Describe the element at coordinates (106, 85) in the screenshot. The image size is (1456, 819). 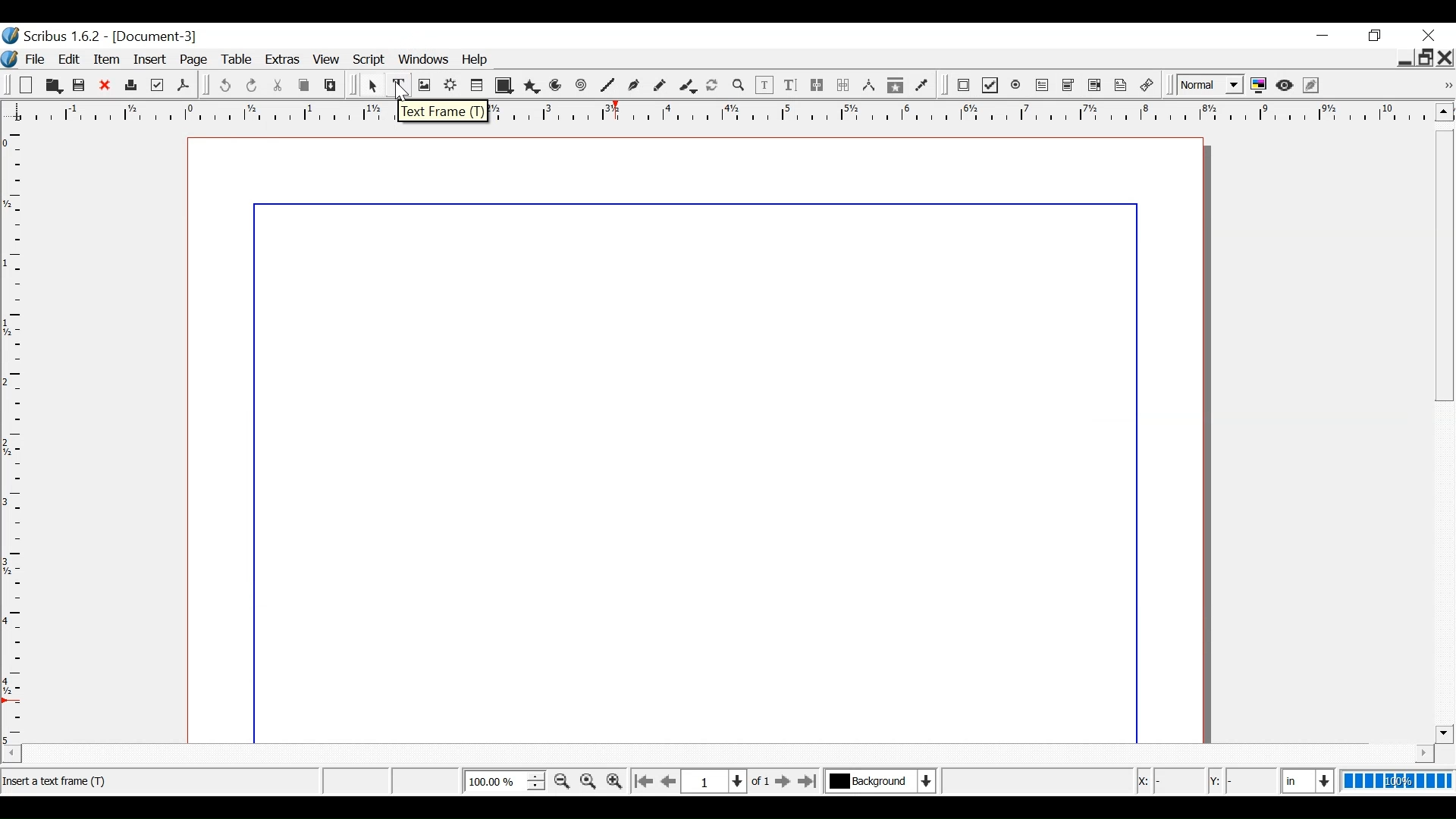
I see `Close` at that location.